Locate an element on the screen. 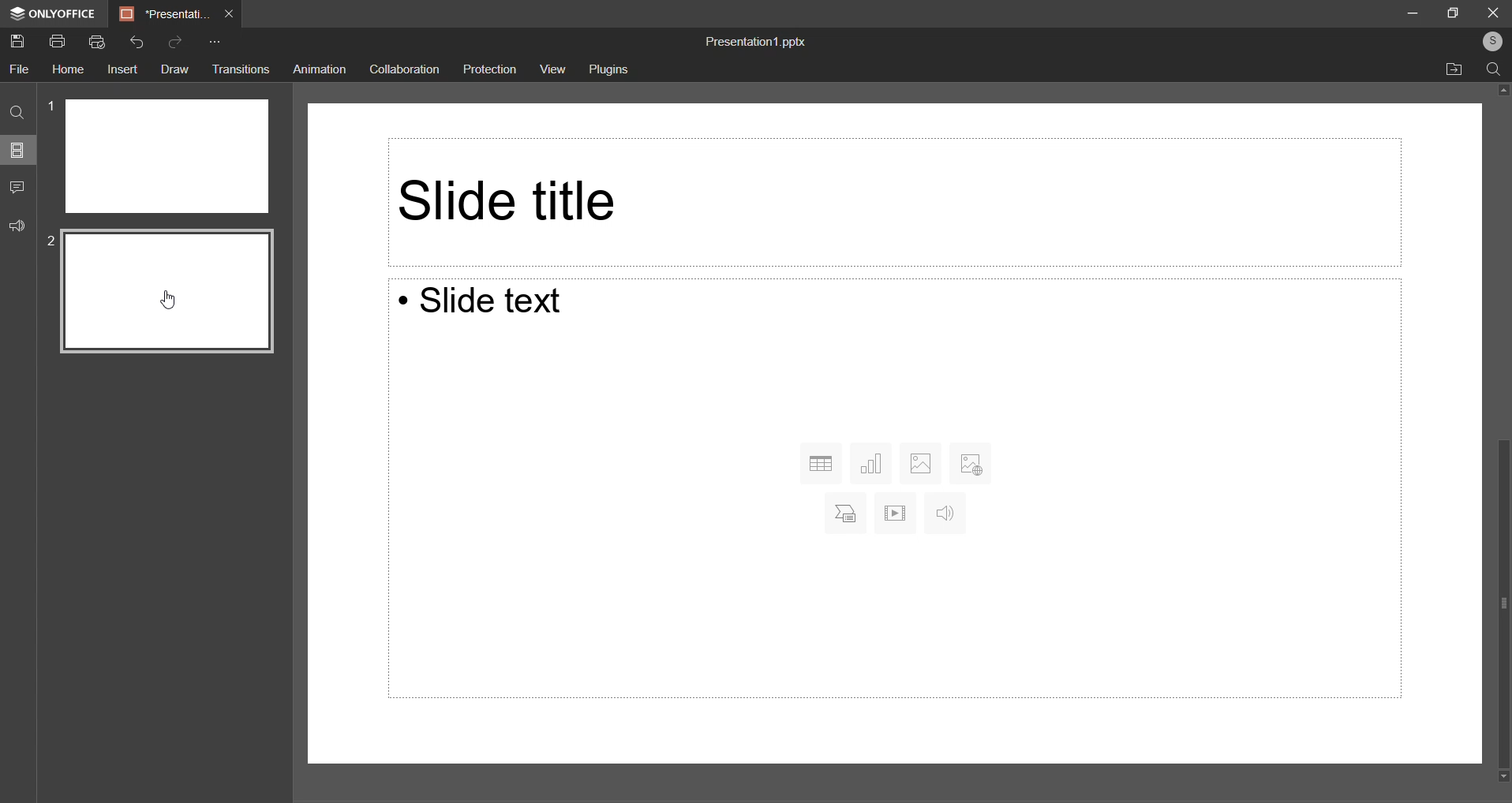 Image resolution: width=1512 pixels, height=803 pixels. Table is located at coordinates (821, 464).